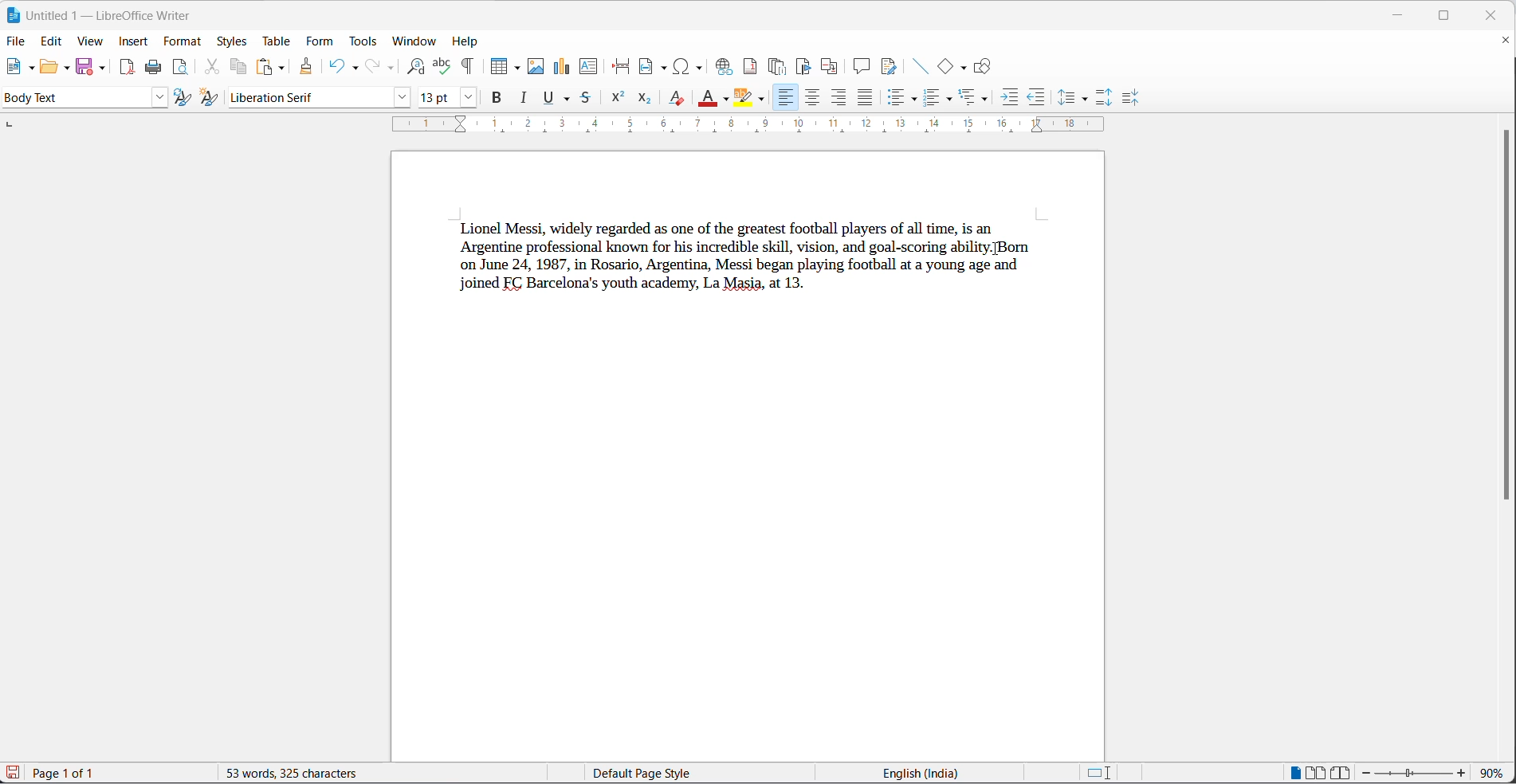 The height and width of the screenshot is (784, 1516). I want to click on single page view, so click(1289, 772).